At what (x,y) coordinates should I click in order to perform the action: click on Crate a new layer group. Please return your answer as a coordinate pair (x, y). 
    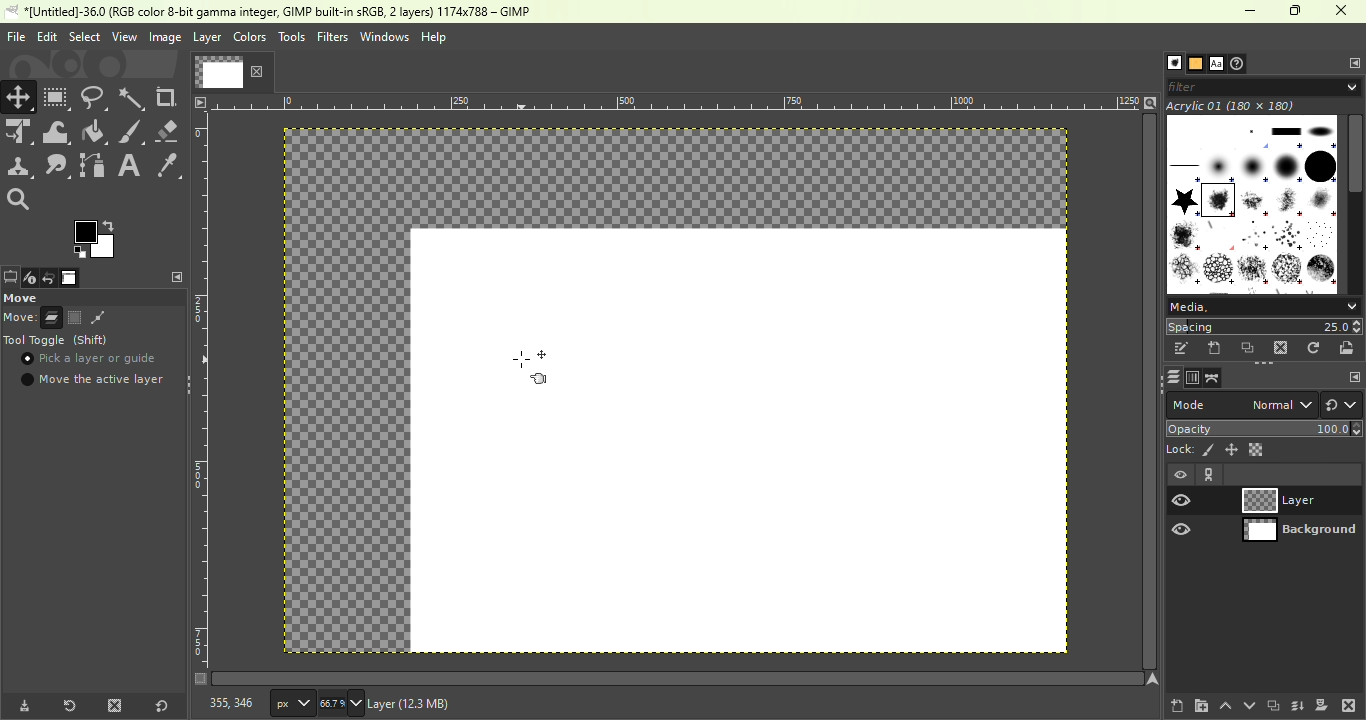
    Looking at the image, I should click on (1200, 705).